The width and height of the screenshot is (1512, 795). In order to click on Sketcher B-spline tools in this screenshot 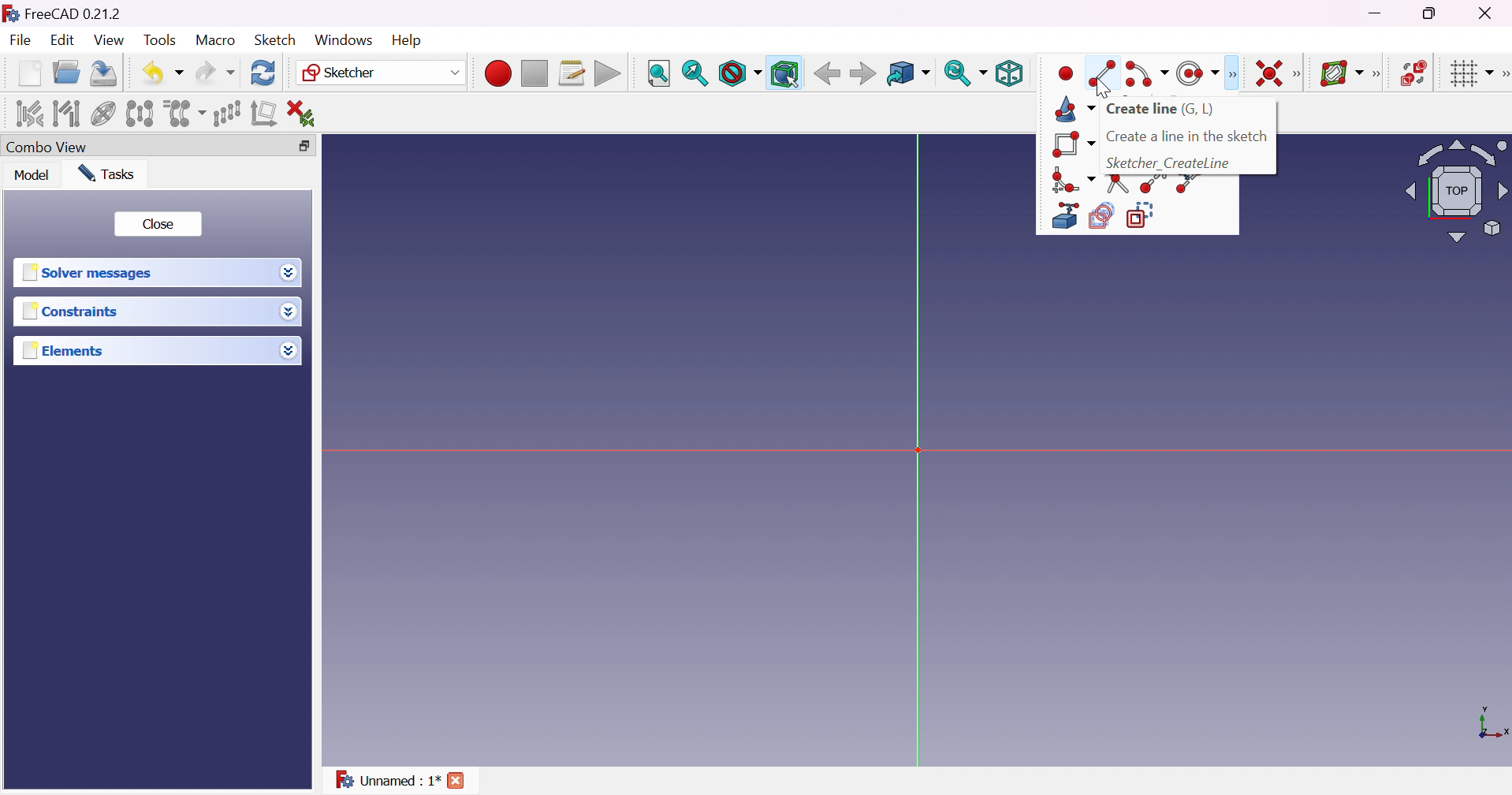, I will do `click(1381, 76)`.